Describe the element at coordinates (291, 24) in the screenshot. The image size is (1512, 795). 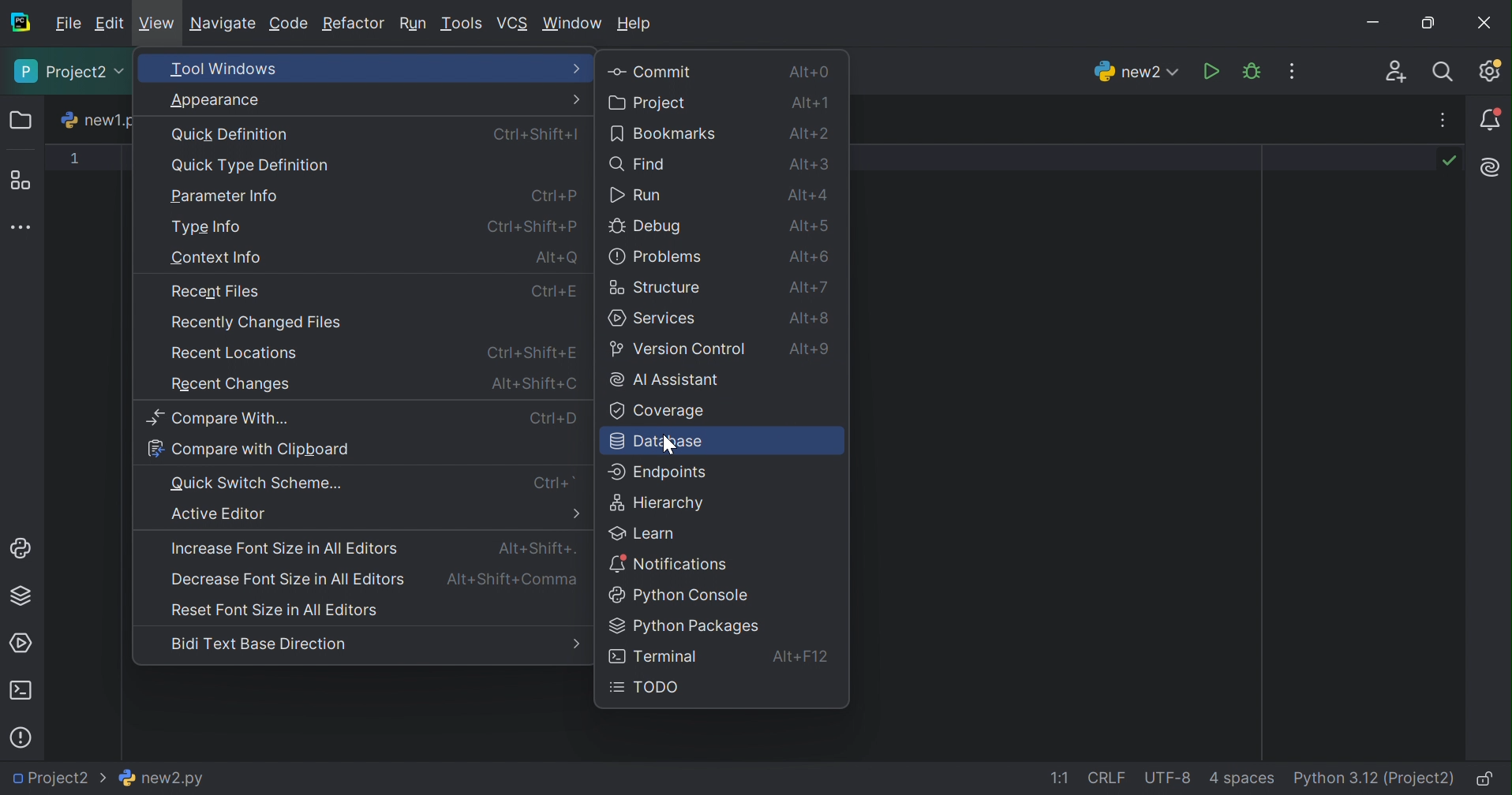
I see `` at that location.